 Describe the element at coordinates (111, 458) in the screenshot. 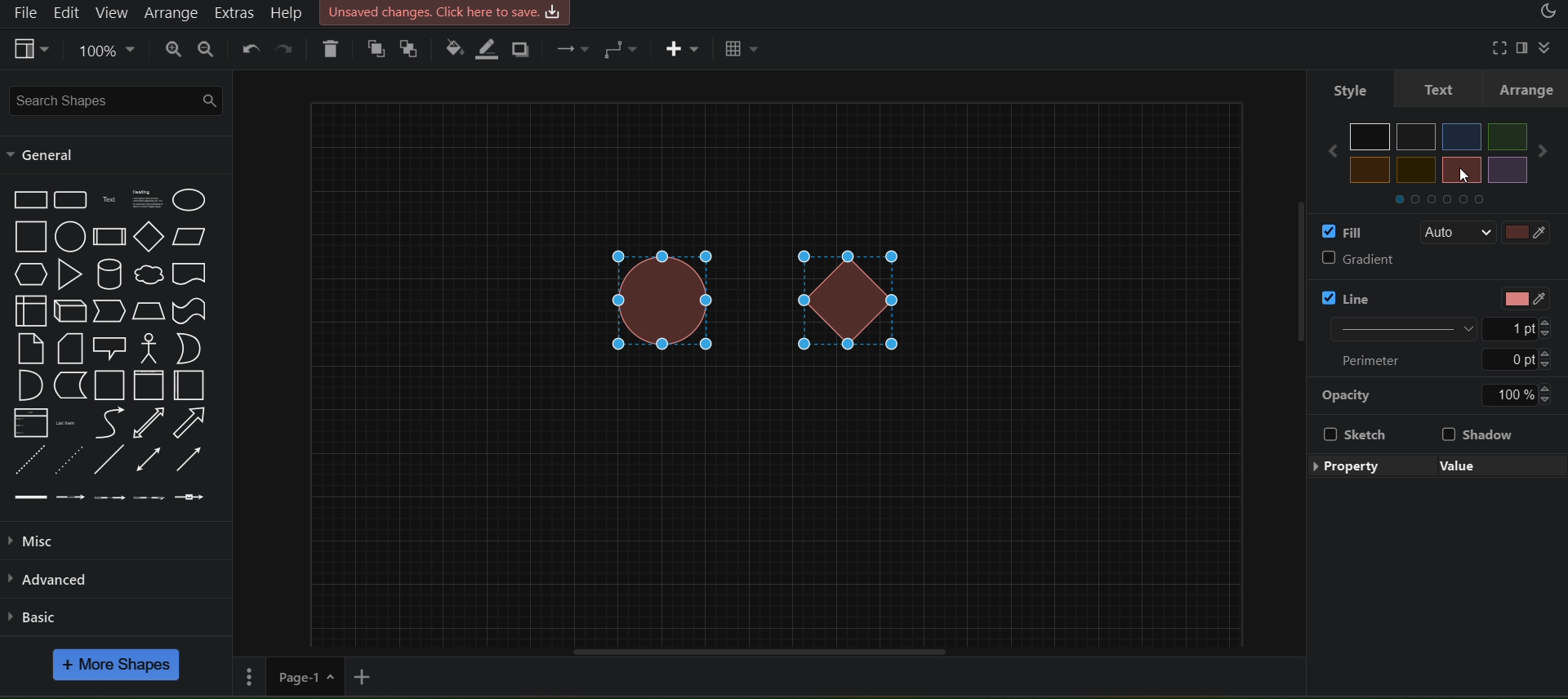

I see `Line` at that location.